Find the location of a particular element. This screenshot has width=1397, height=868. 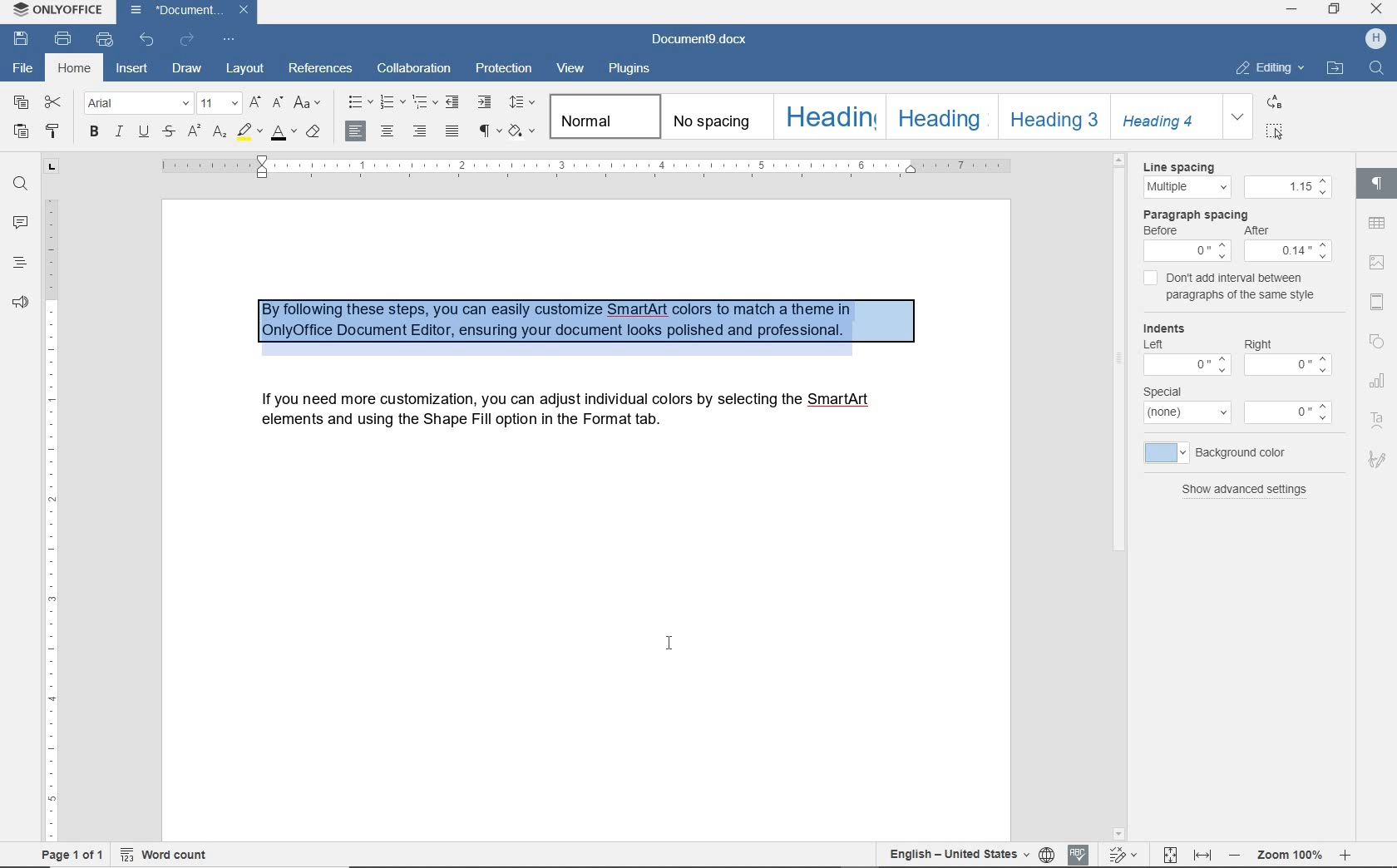

redo is located at coordinates (188, 40).